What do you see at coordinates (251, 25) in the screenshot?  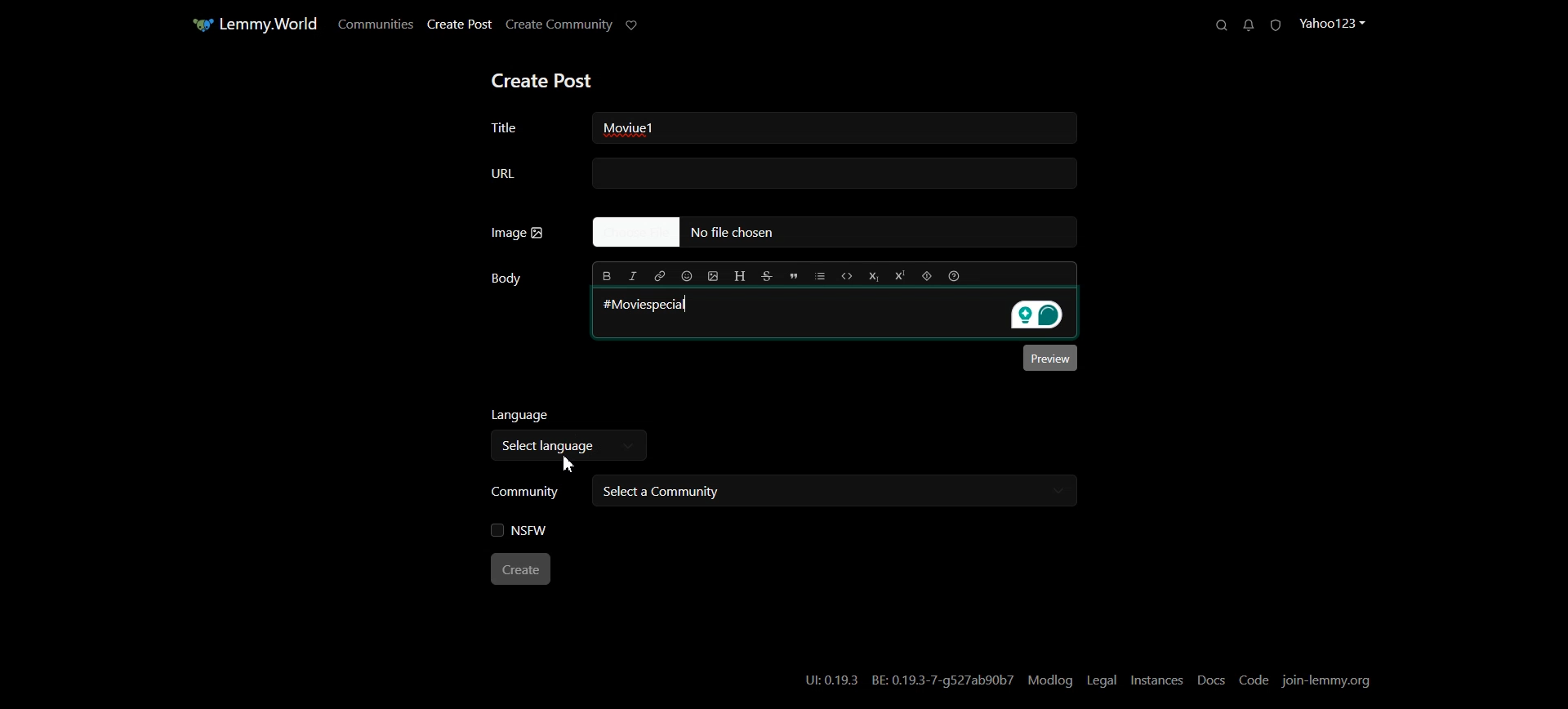 I see `Home Page` at bounding box center [251, 25].